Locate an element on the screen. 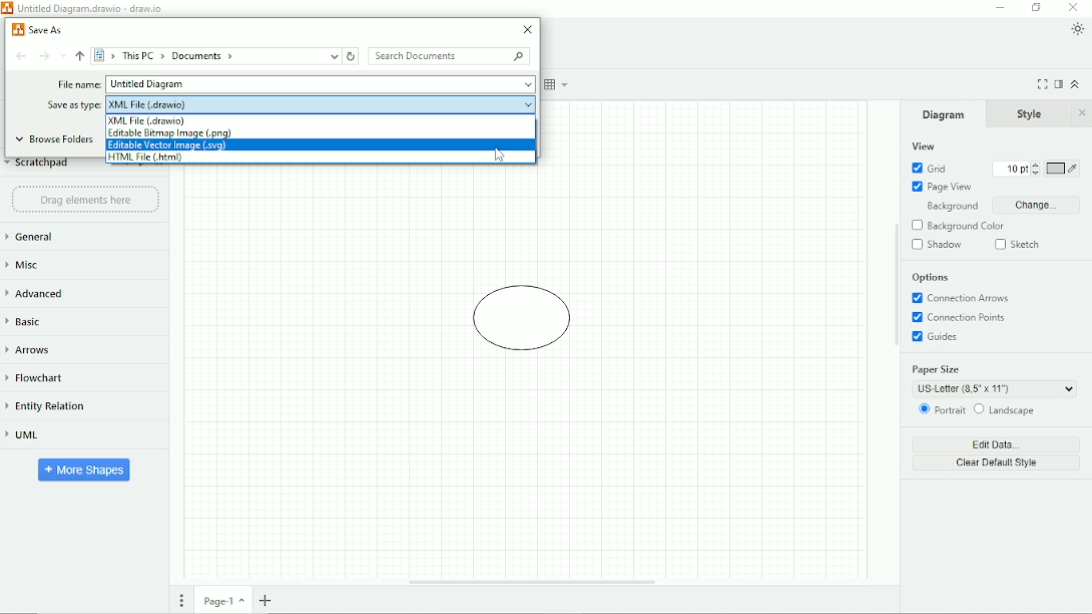  Recent Locations is located at coordinates (63, 56).